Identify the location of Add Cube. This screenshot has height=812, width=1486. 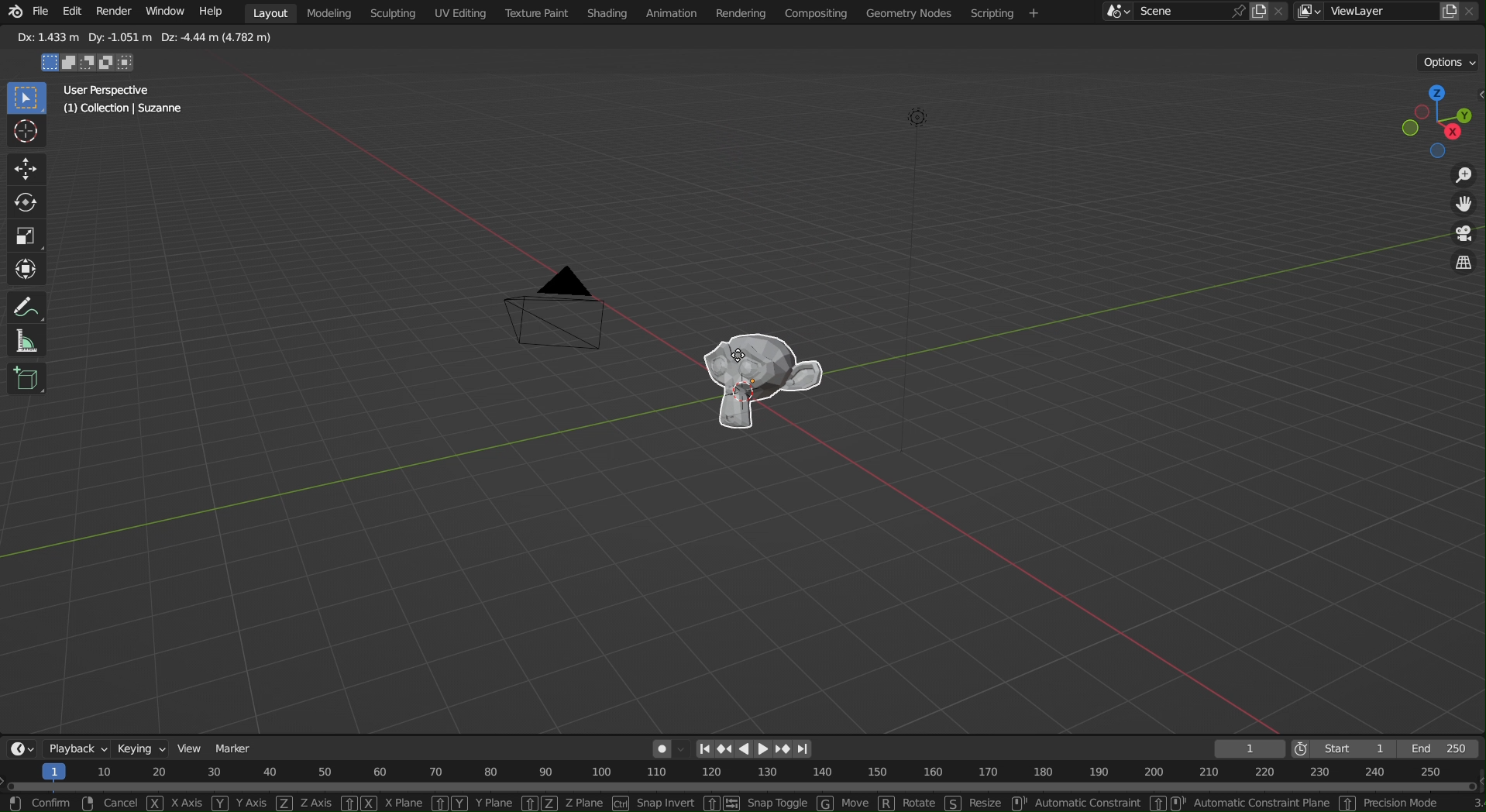
(25, 379).